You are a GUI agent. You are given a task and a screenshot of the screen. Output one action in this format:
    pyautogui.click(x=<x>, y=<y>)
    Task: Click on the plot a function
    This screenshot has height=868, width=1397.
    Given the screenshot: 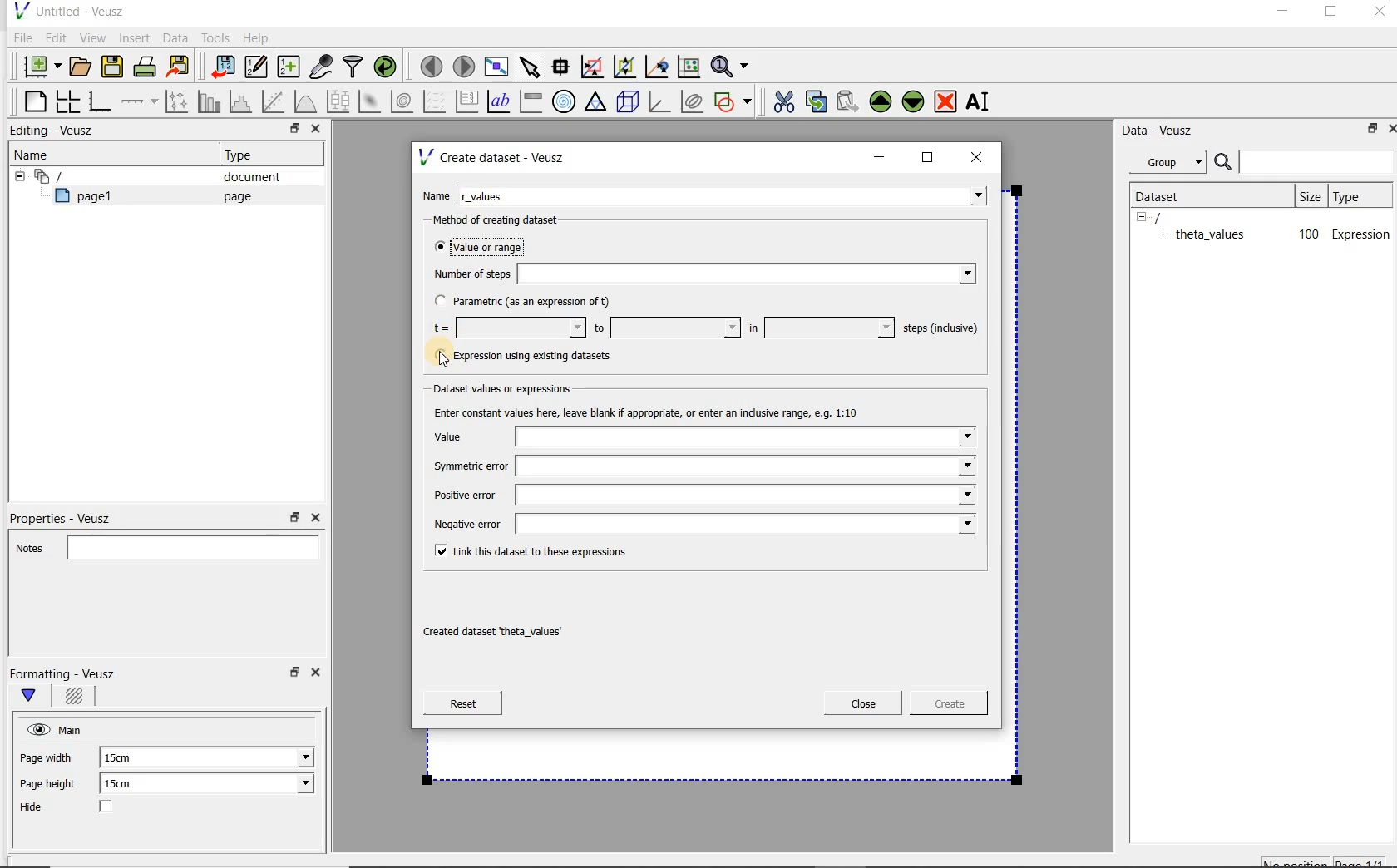 What is the action you would take?
    pyautogui.click(x=304, y=101)
    